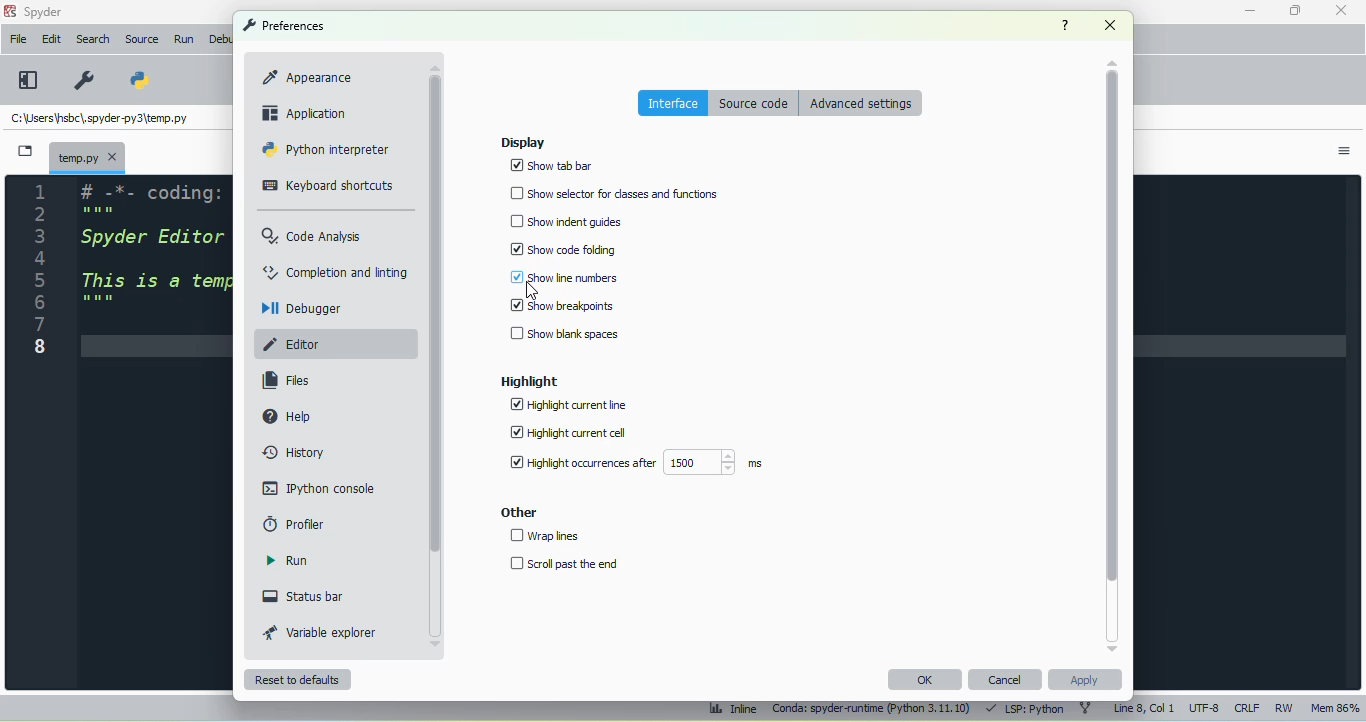  I want to click on LSP: Python, so click(1028, 709).